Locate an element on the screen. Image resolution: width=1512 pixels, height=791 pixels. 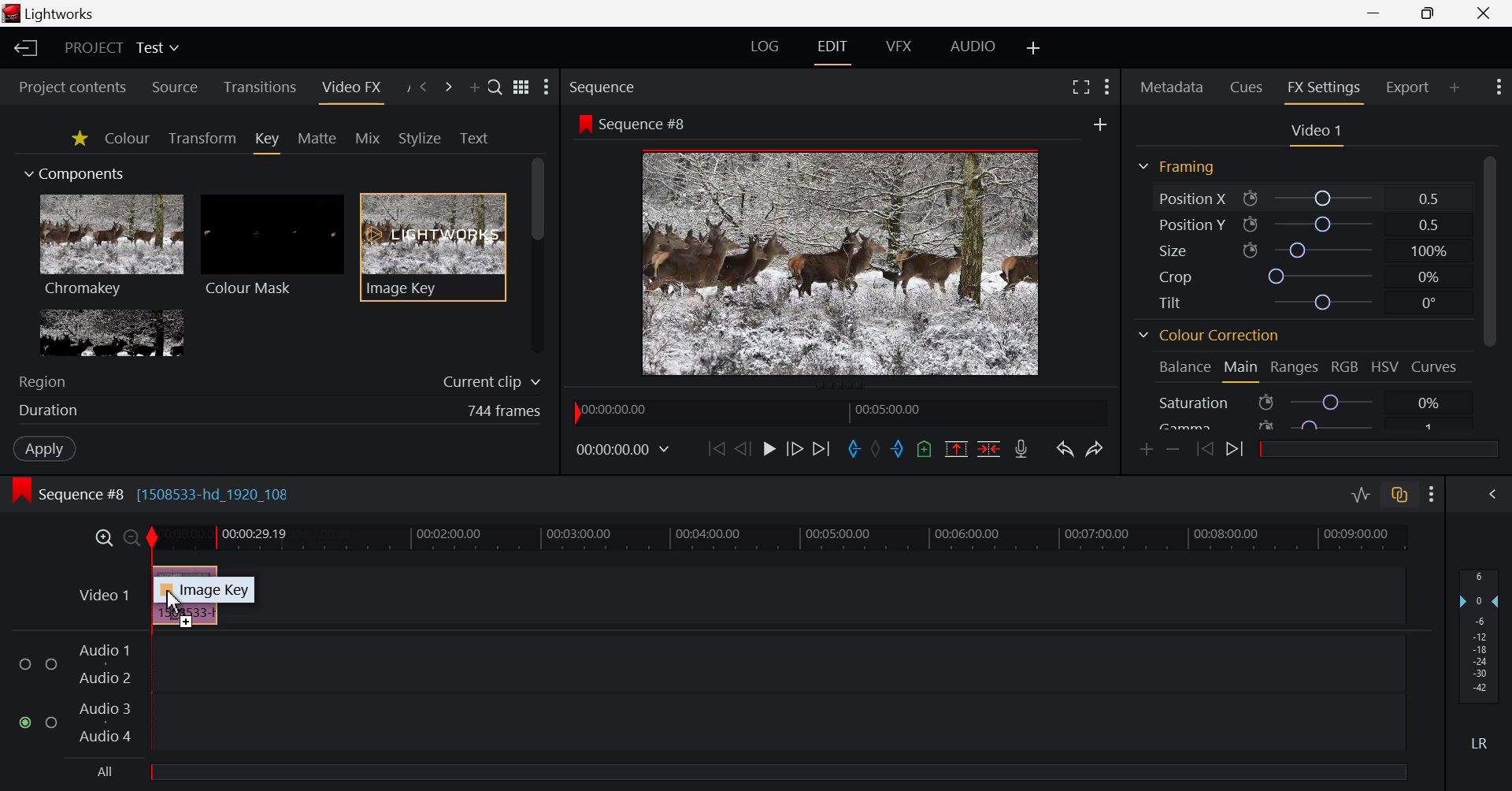
All is located at coordinates (107, 772).